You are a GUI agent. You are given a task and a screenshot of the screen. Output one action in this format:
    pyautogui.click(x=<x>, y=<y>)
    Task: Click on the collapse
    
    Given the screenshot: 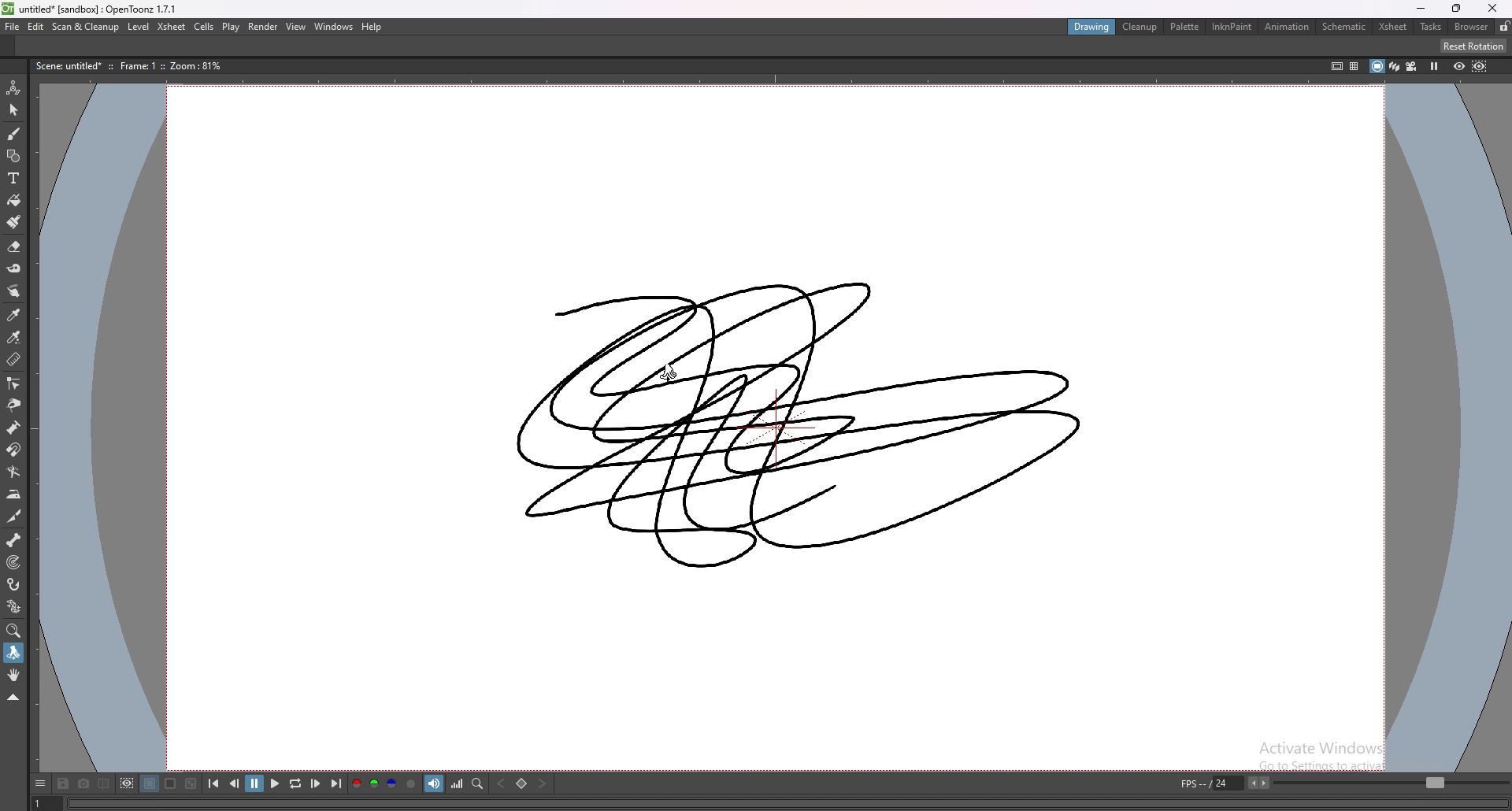 What is the action you would take?
    pyautogui.click(x=13, y=698)
    